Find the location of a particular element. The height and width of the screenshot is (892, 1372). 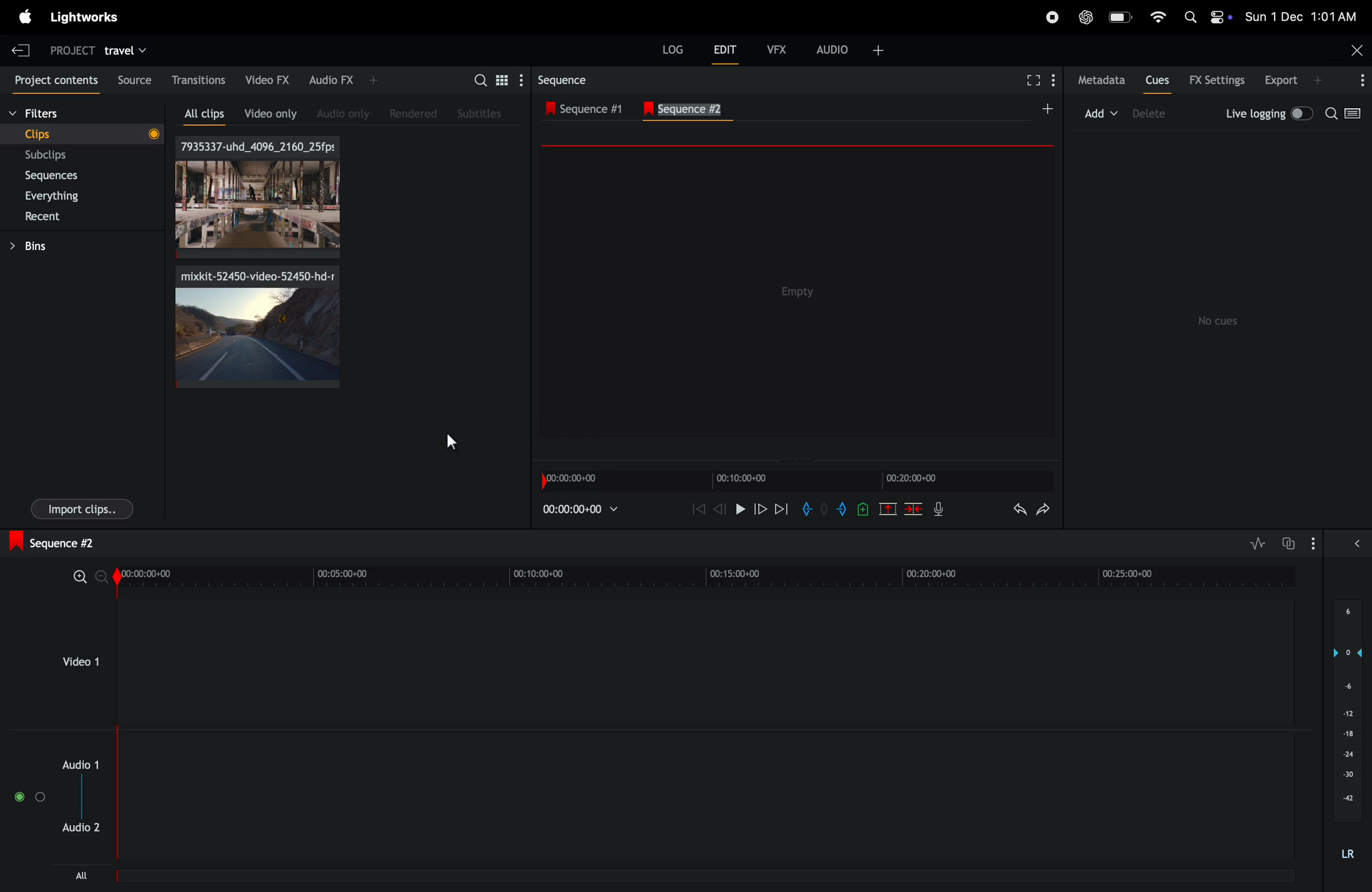

clips is located at coordinates (85, 134).